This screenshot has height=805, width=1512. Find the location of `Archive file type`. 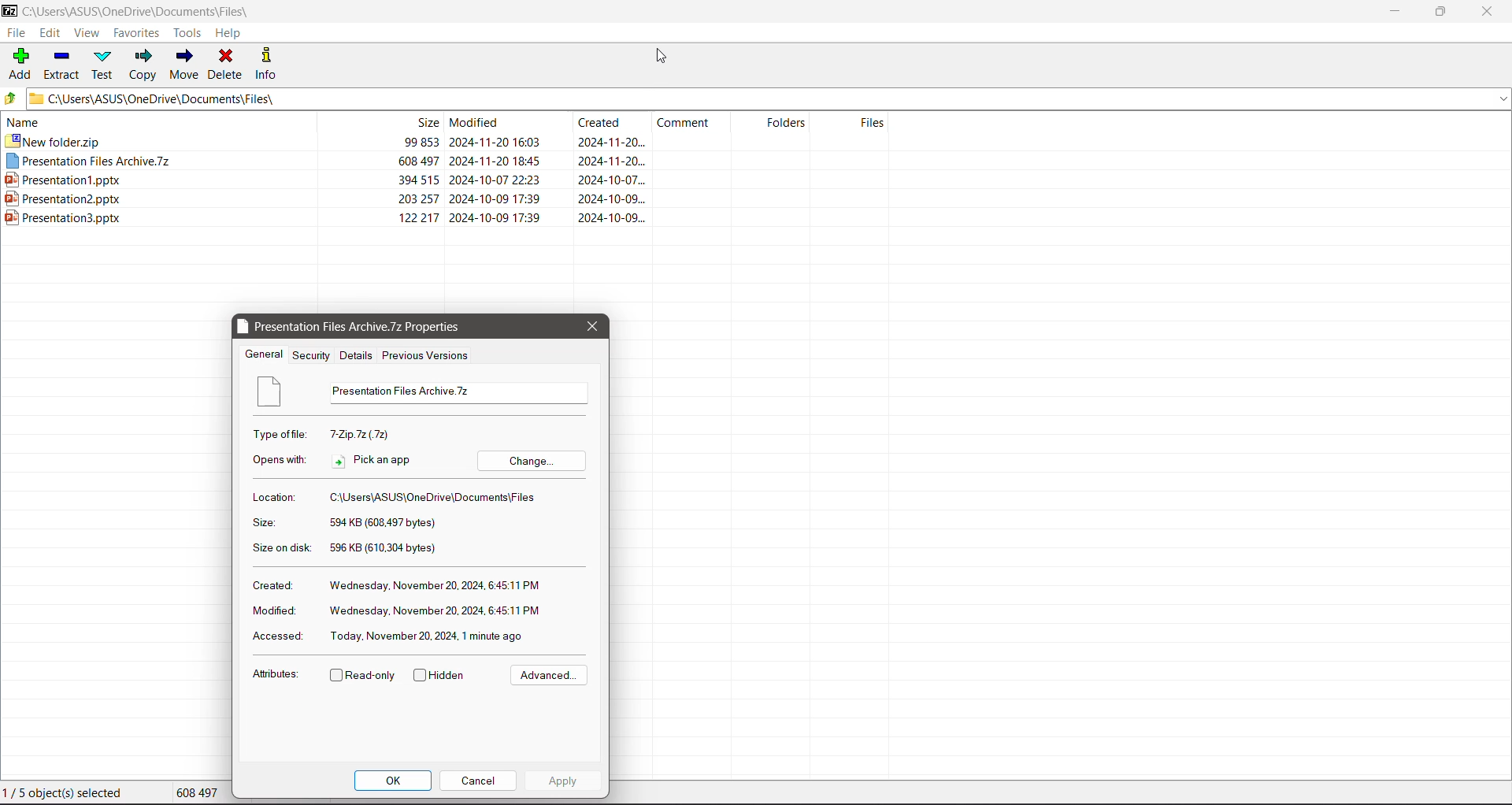

Archive file type is located at coordinates (360, 434).